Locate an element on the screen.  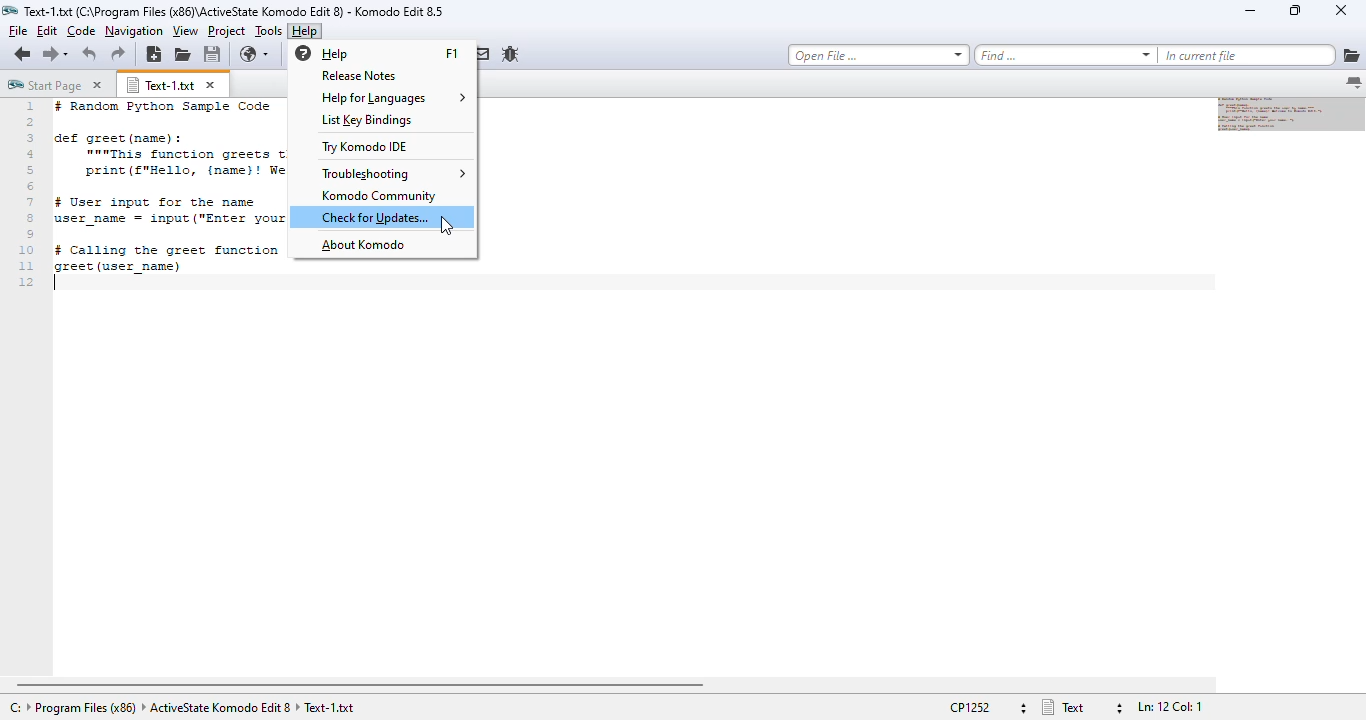
code is located at coordinates (81, 31).